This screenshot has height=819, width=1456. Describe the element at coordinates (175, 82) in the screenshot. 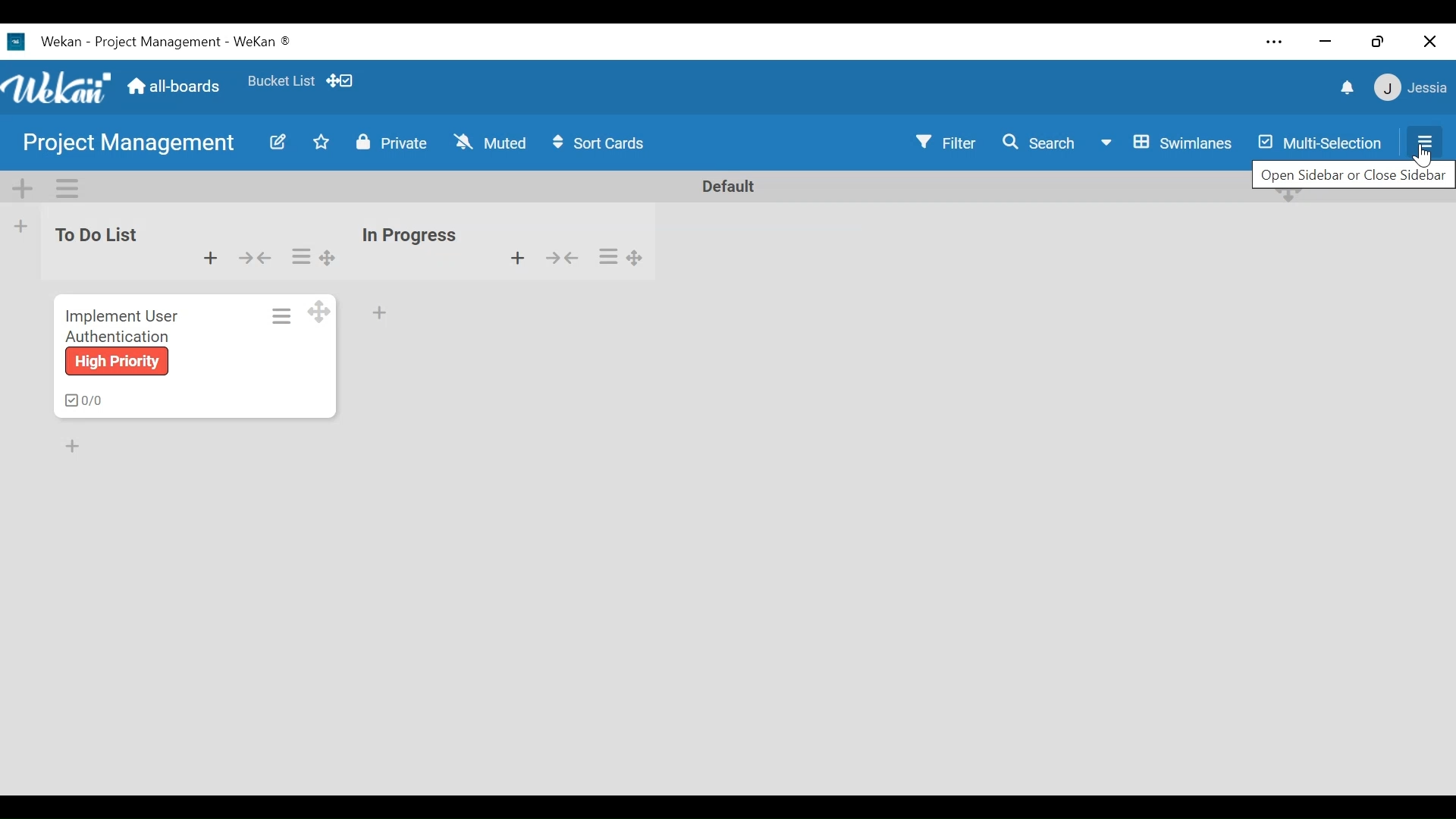

I see `Home(all boards)` at that location.